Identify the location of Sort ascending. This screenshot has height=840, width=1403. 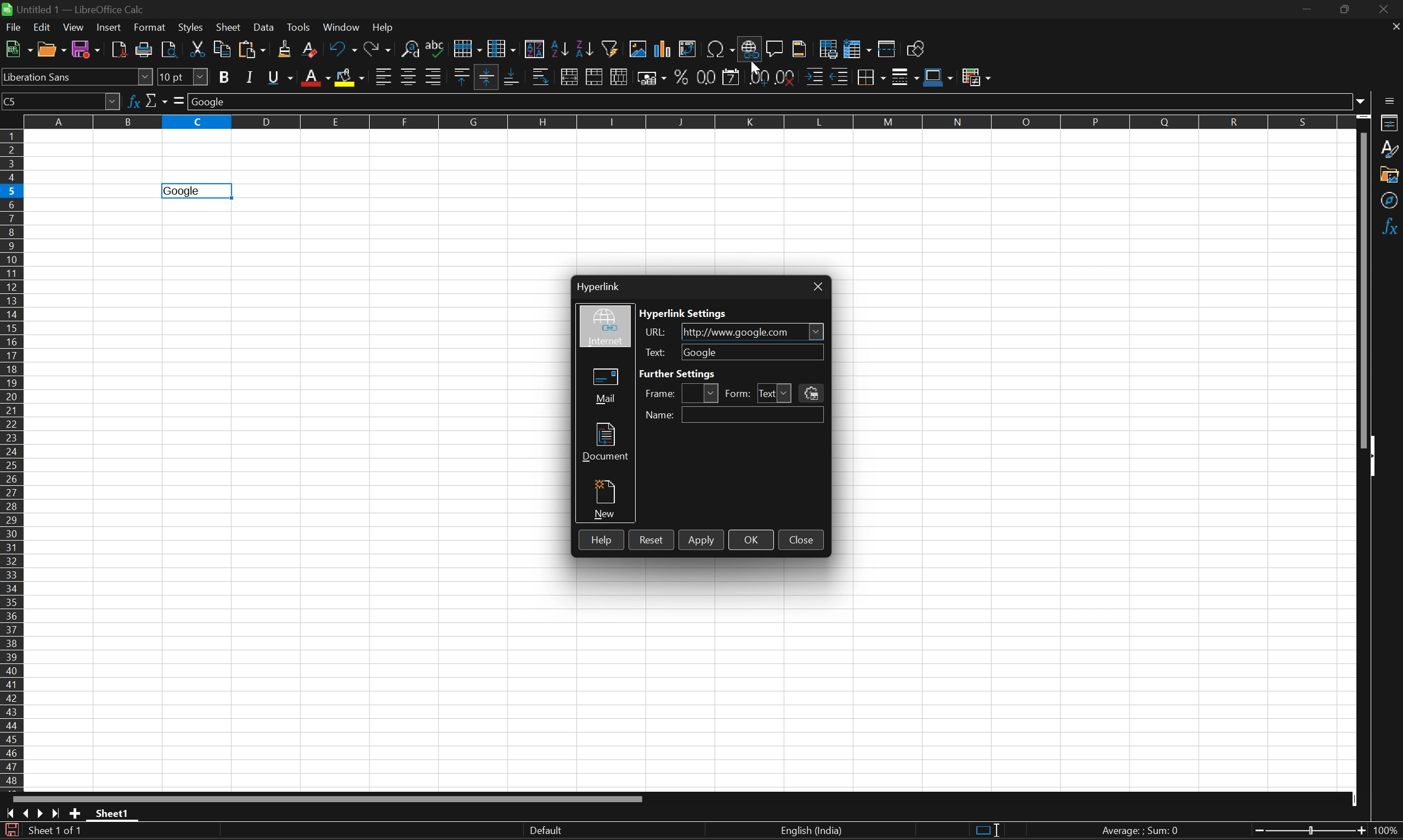
(559, 49).